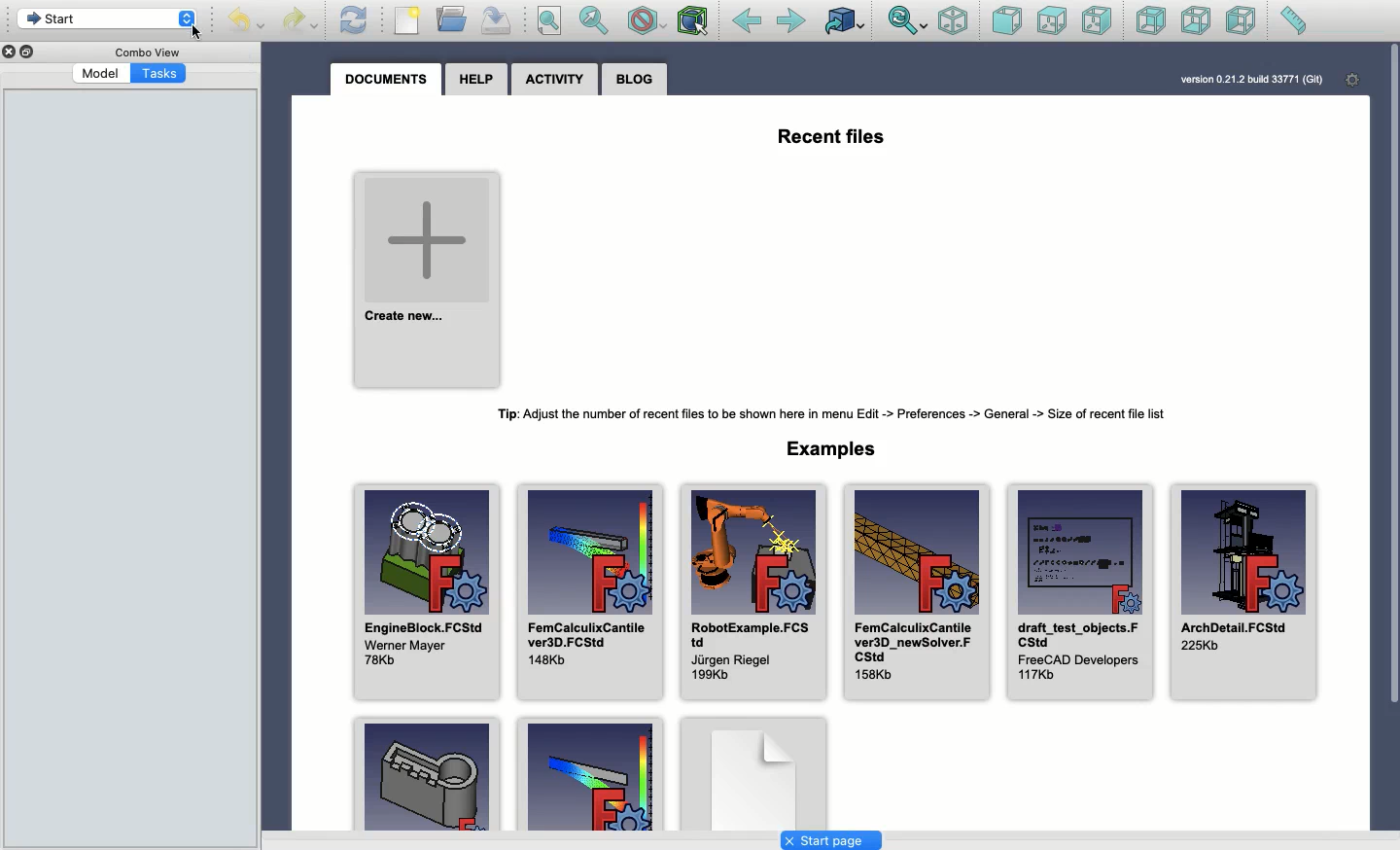 The image size is (1400, 850). Describe the element at coordinates (636, 79) in the screenshot. I see `Blog` at that location.